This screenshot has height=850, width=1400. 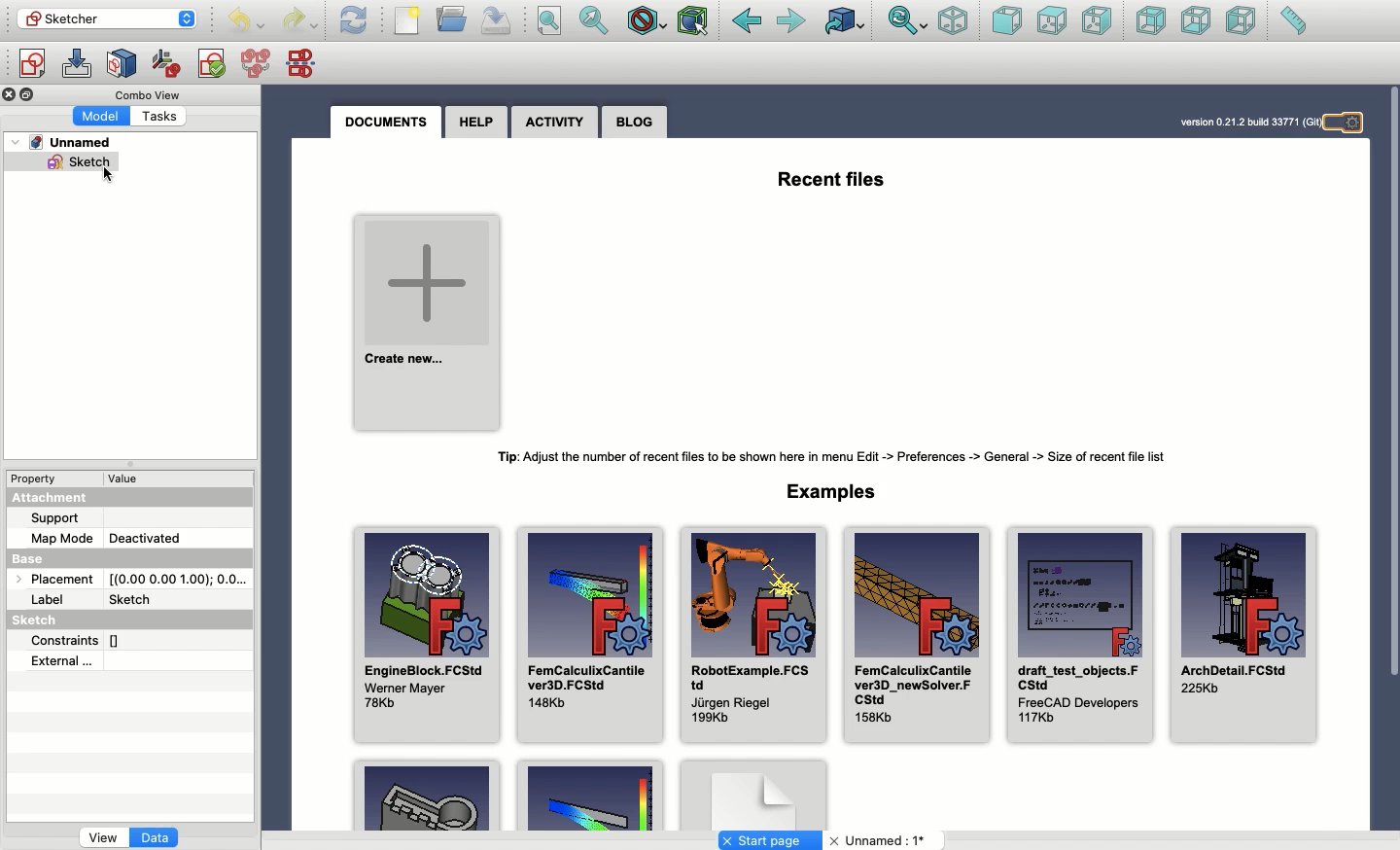 I want to click on Deactivated, so click(x=145, y=535).